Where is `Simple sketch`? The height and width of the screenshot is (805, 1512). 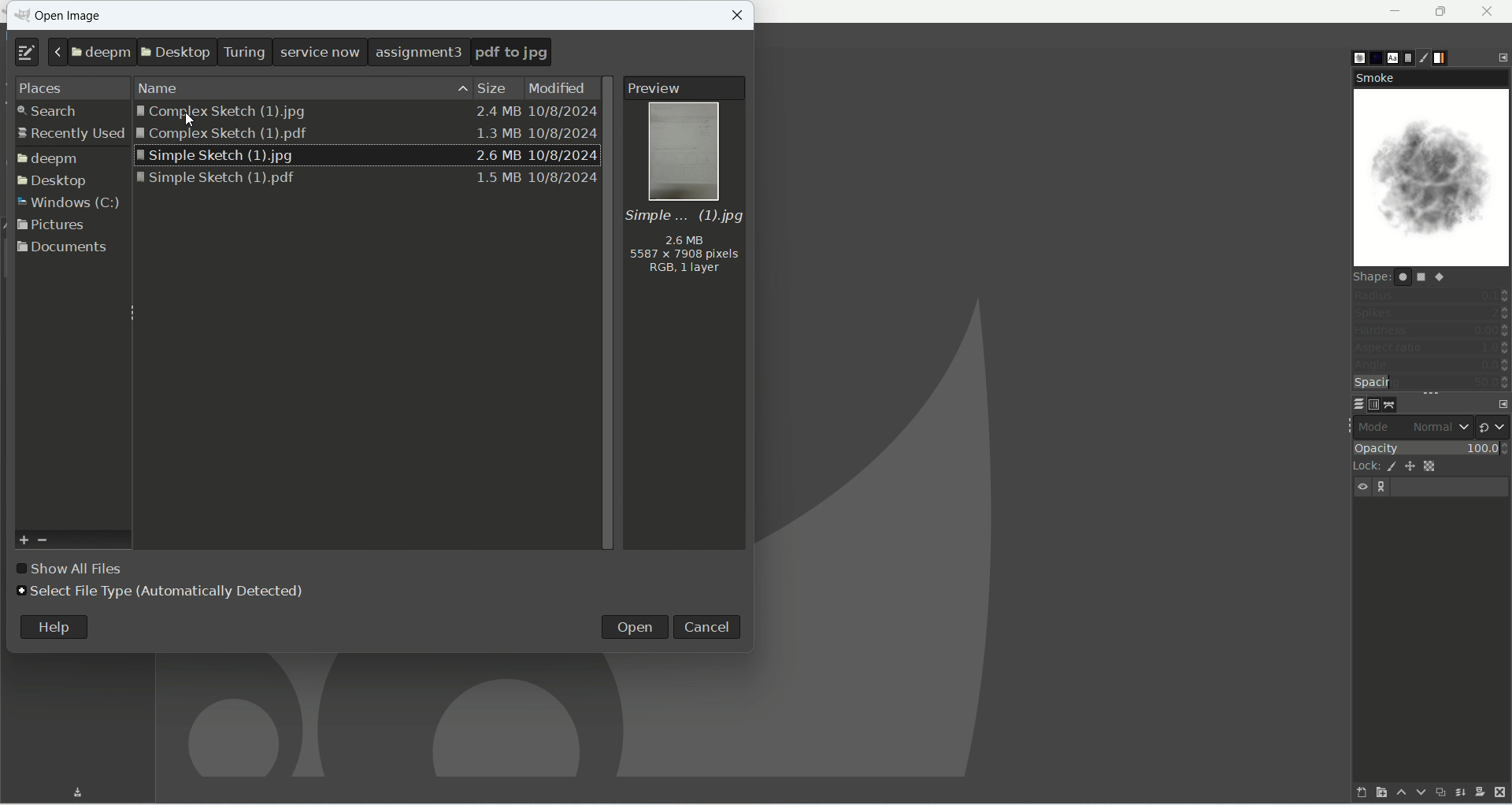 Simple sketch is located at coordinates (367, 180).